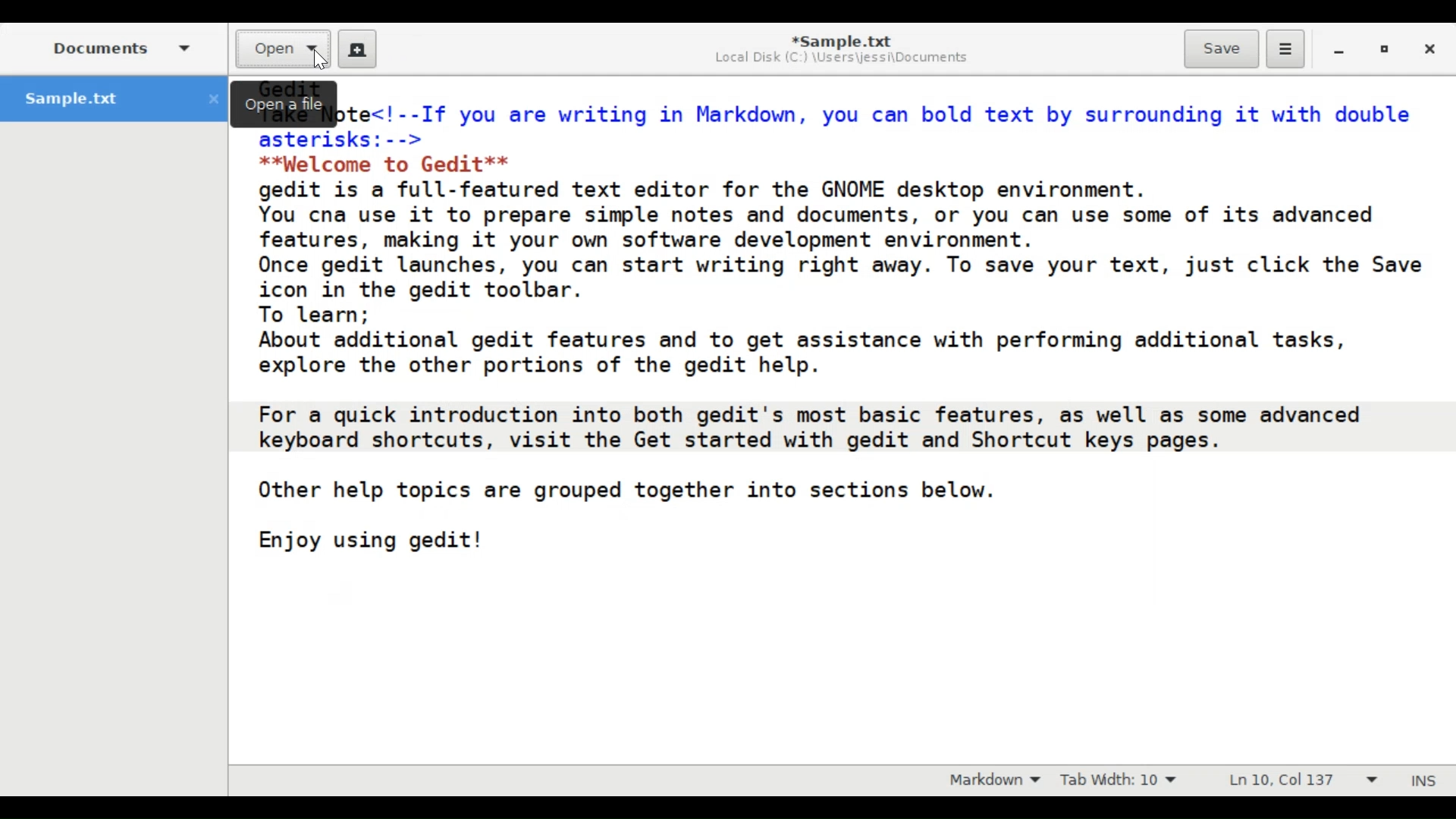  I want to click on Highlight Mode: Markdown, so click(989, 780).